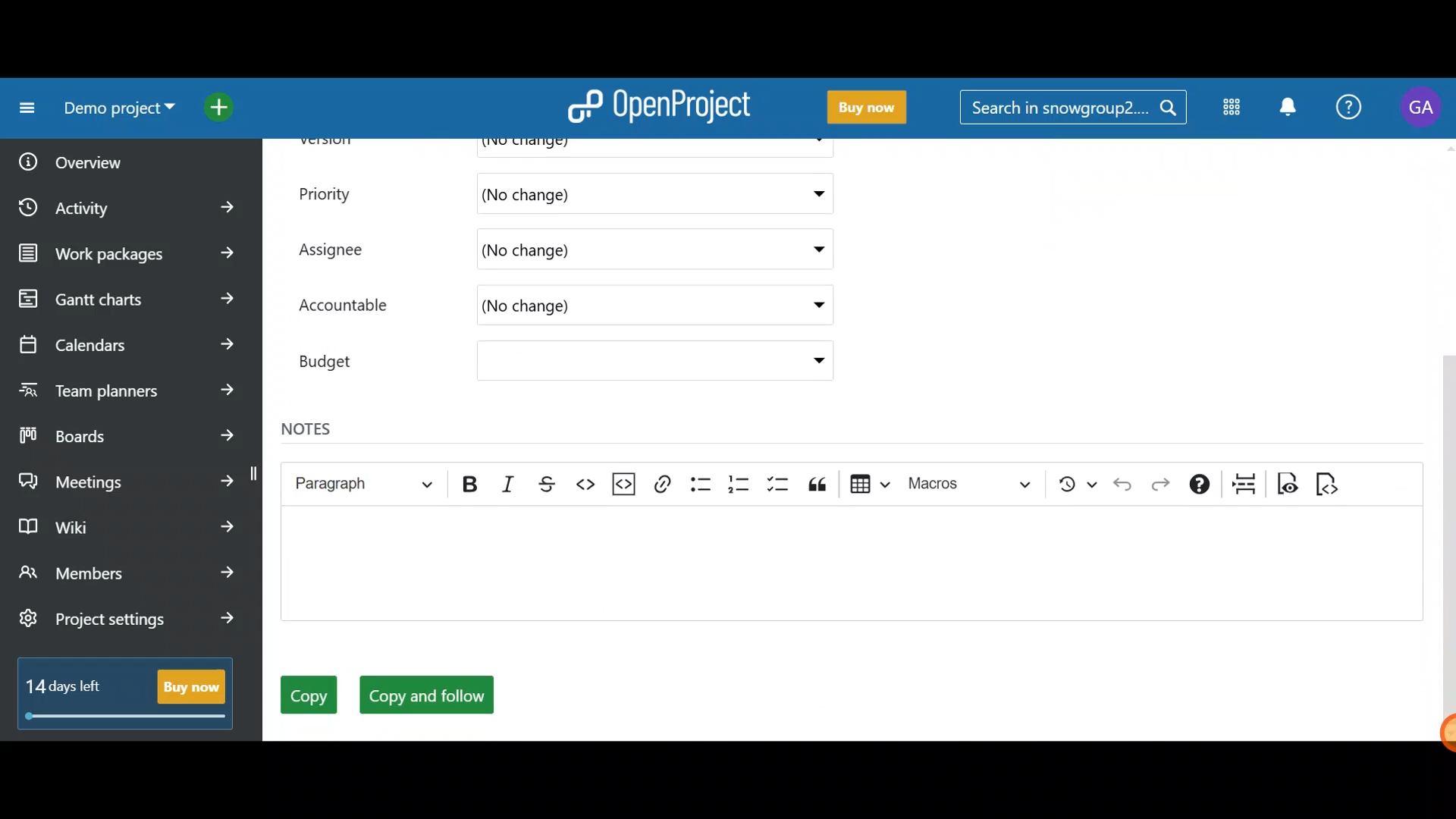  What do you see at coordinates (1200, 488) in the screenshot?
I see `Text formatting help` at bounding box center [1200, 488].